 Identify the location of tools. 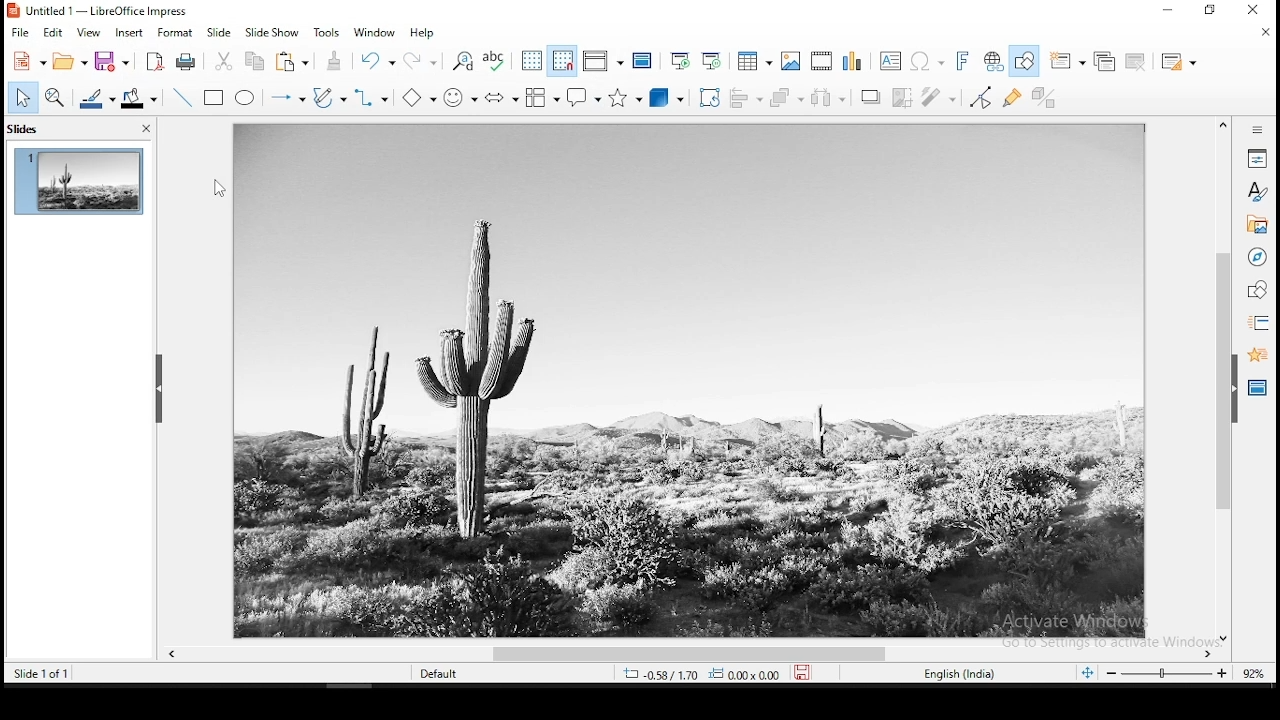
(329, 32).